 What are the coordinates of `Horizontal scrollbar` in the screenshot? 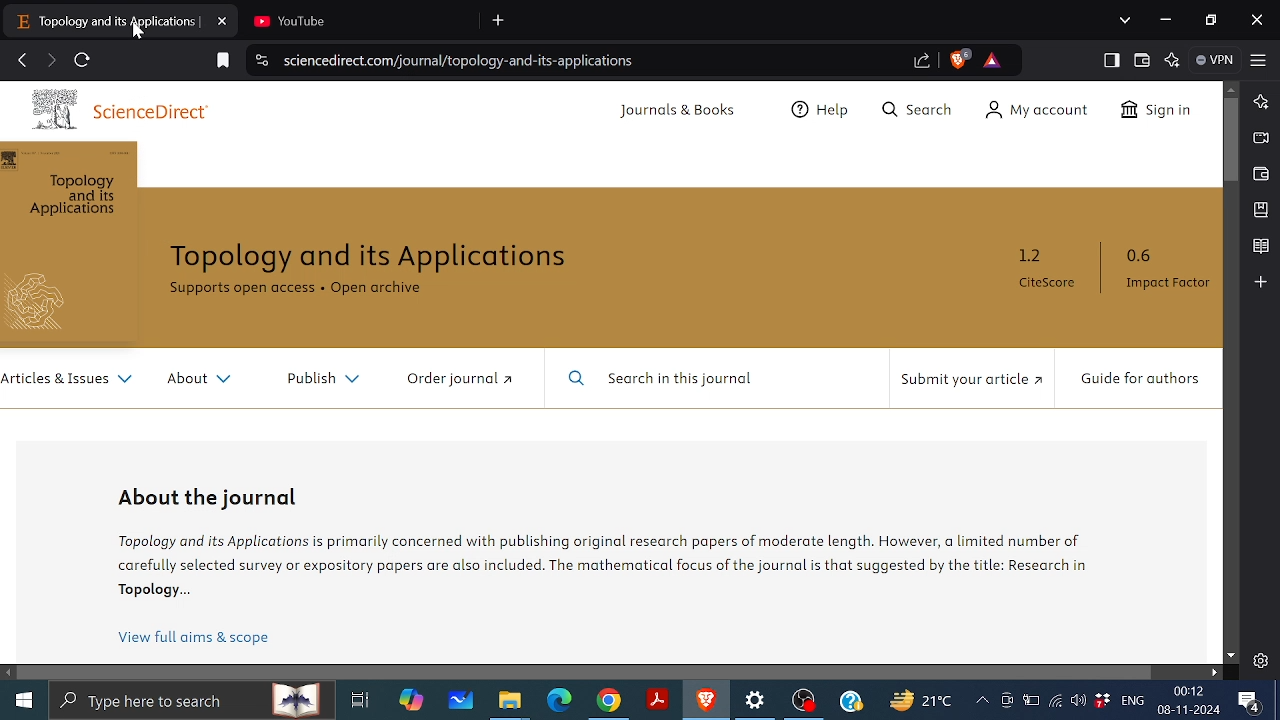 It's located at (586, 671).